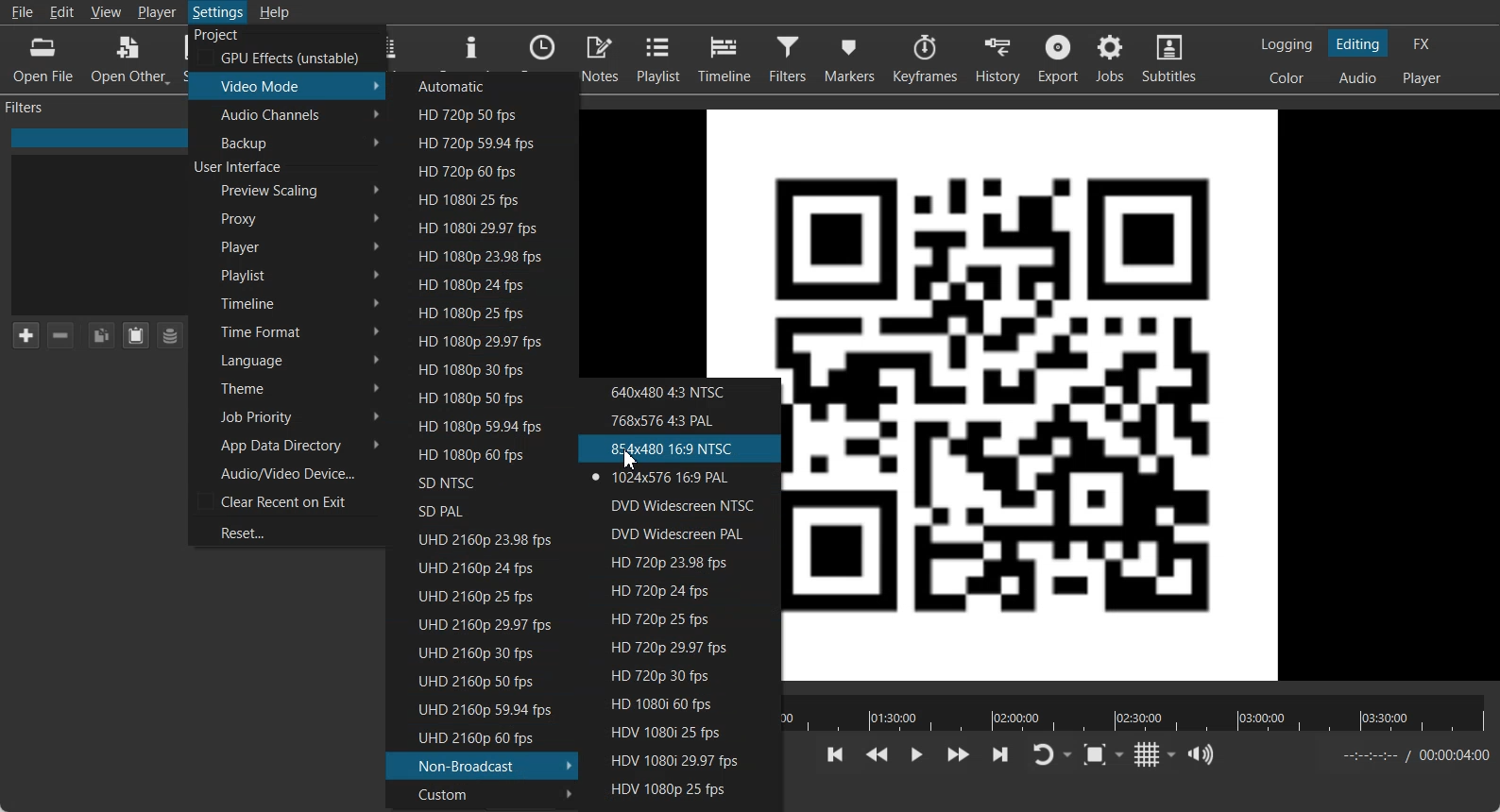  Describe the element at coordinates (478, 367) in the screenshot. I see `HD 1080p 30 fps` at that location.